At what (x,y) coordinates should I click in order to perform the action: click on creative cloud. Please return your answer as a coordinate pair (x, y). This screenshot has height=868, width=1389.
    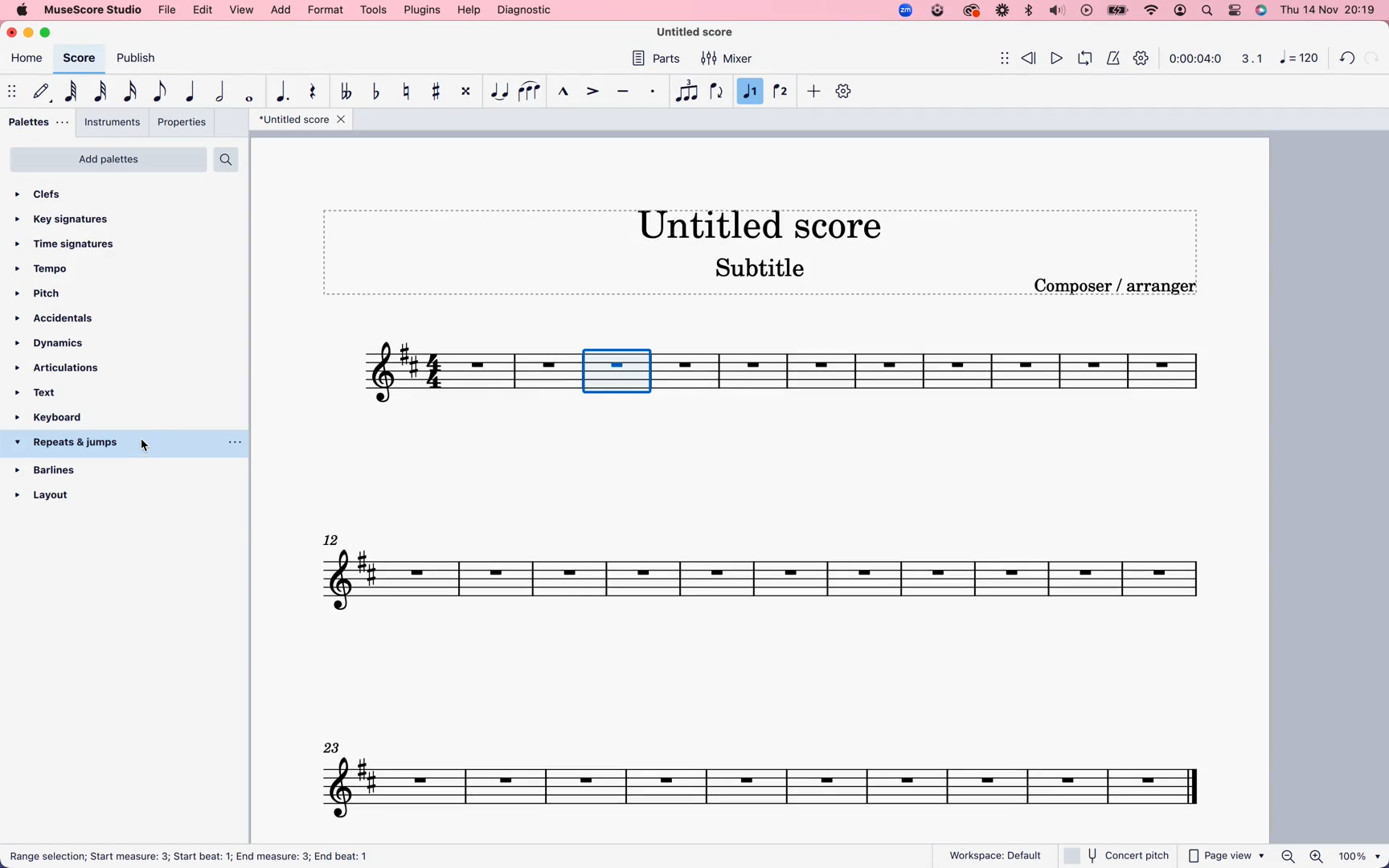
    Looking at the image, I should click on (972, 12).